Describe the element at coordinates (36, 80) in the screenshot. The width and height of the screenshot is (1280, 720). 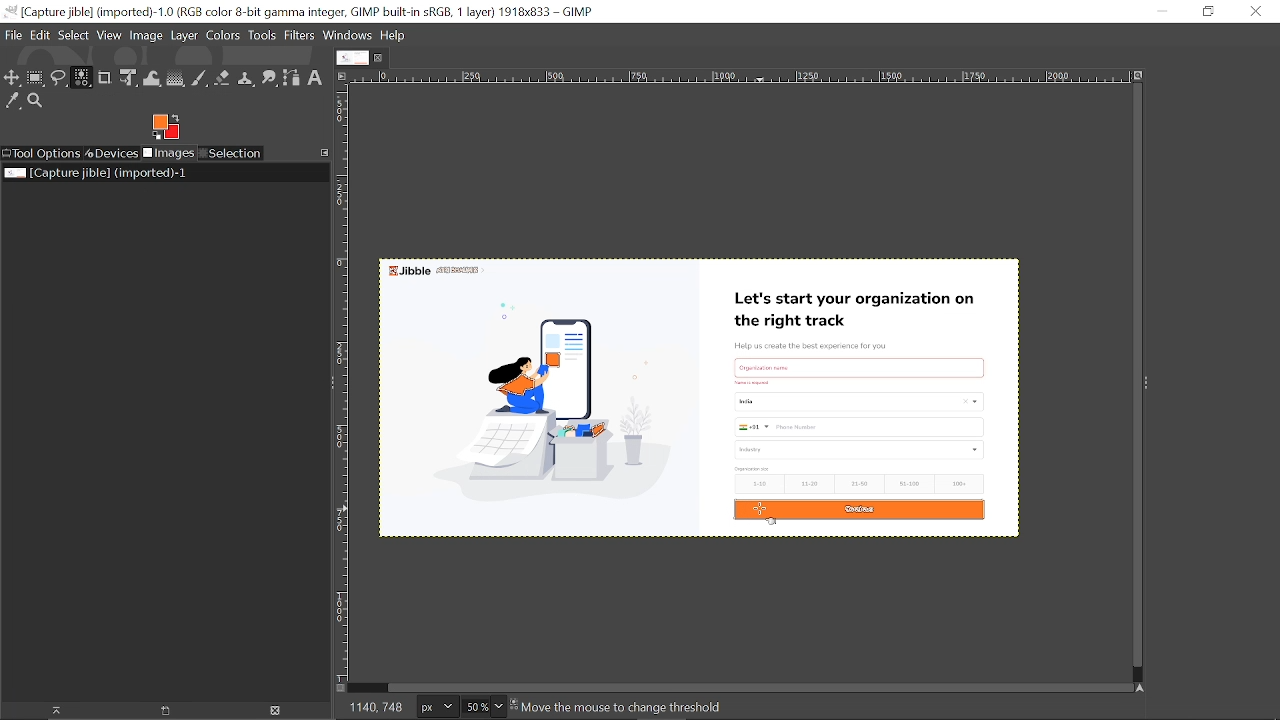
I see `Rectangular select tool` at that location.